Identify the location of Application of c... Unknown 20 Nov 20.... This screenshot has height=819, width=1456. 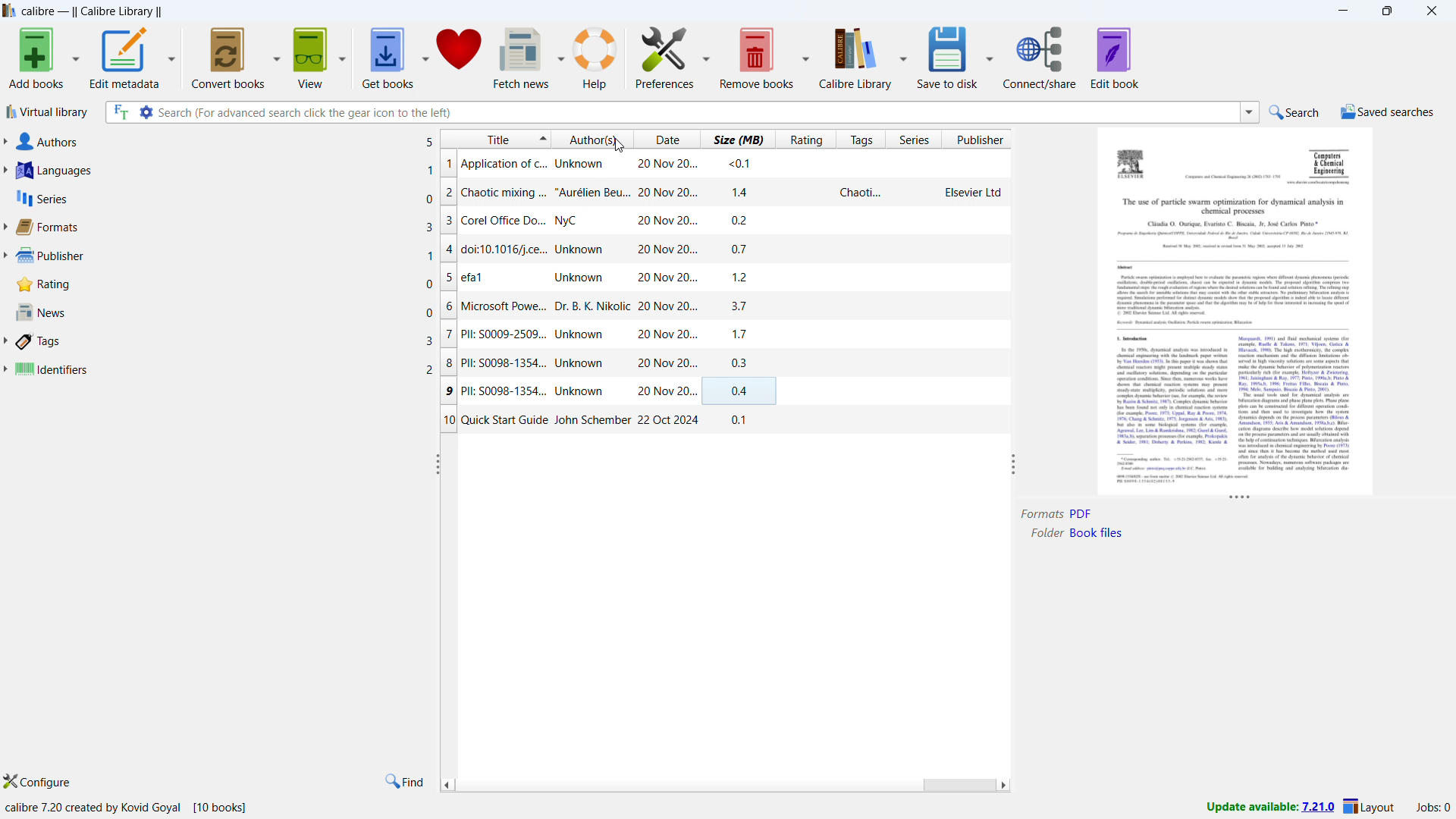
(578, 164).